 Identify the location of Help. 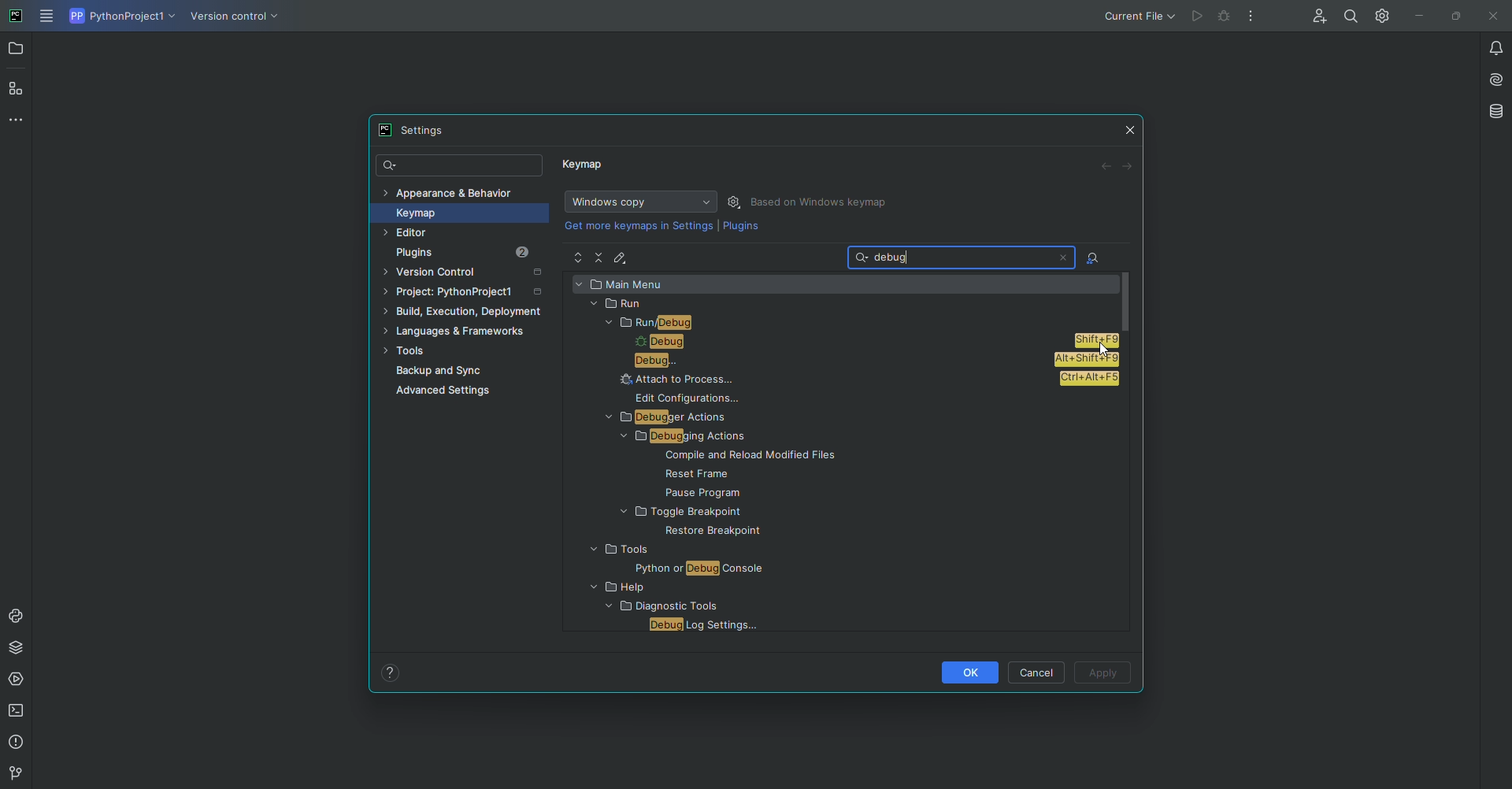
(391, 672).